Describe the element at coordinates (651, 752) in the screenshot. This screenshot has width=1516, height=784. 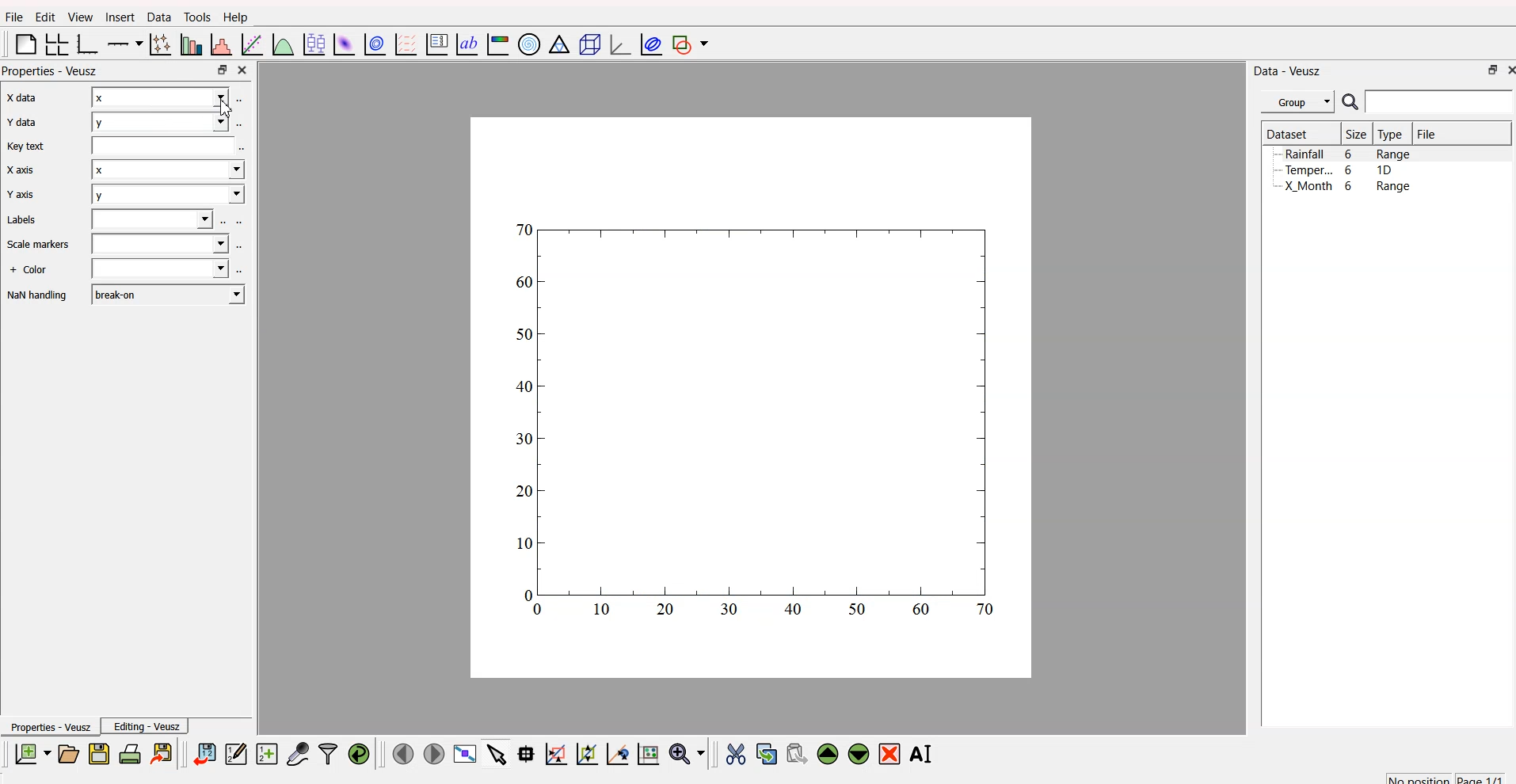
I see `reset graph axes` at that location.